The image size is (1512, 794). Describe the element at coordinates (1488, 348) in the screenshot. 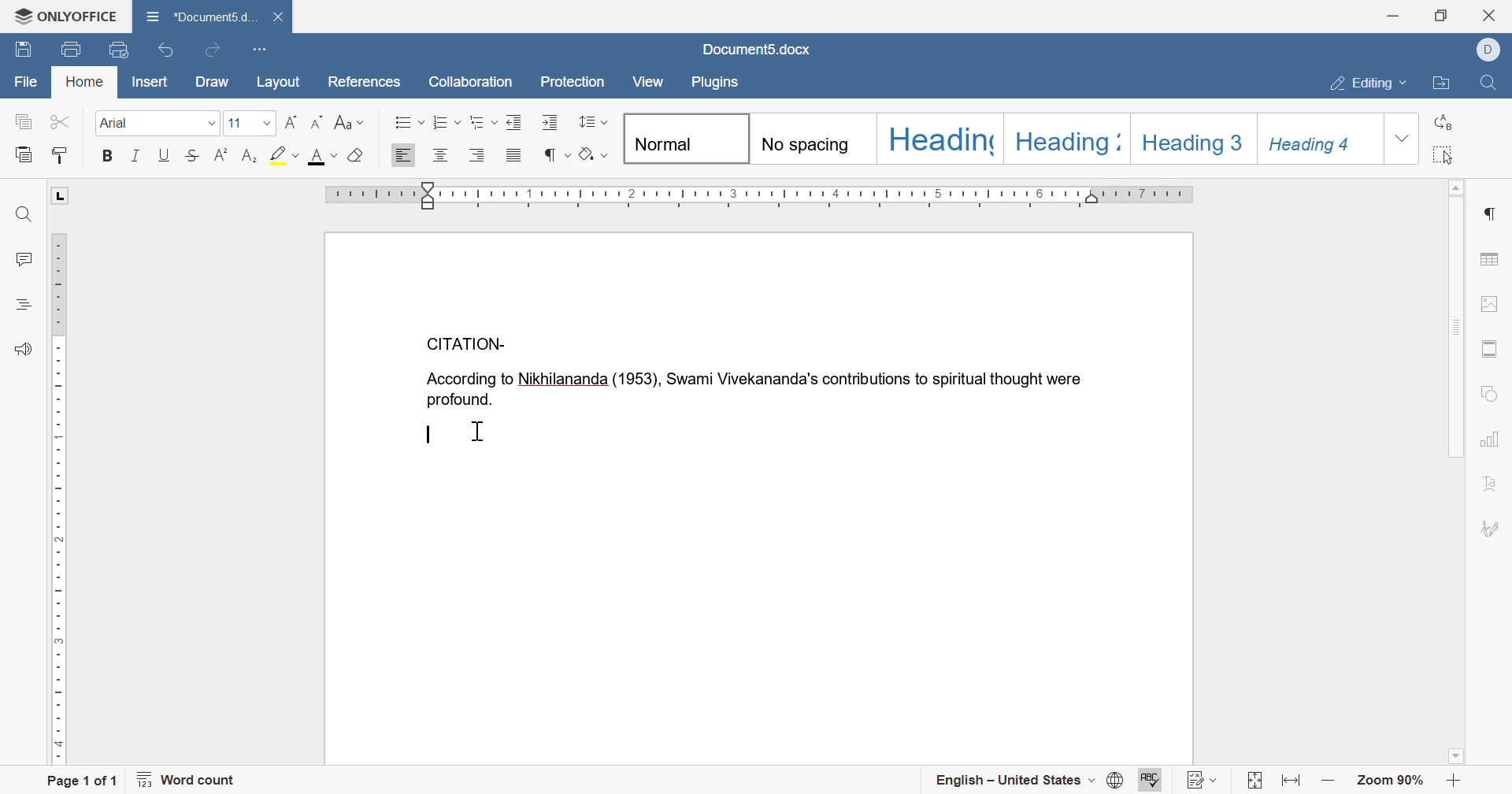

I see `header and footer settings` at that location.